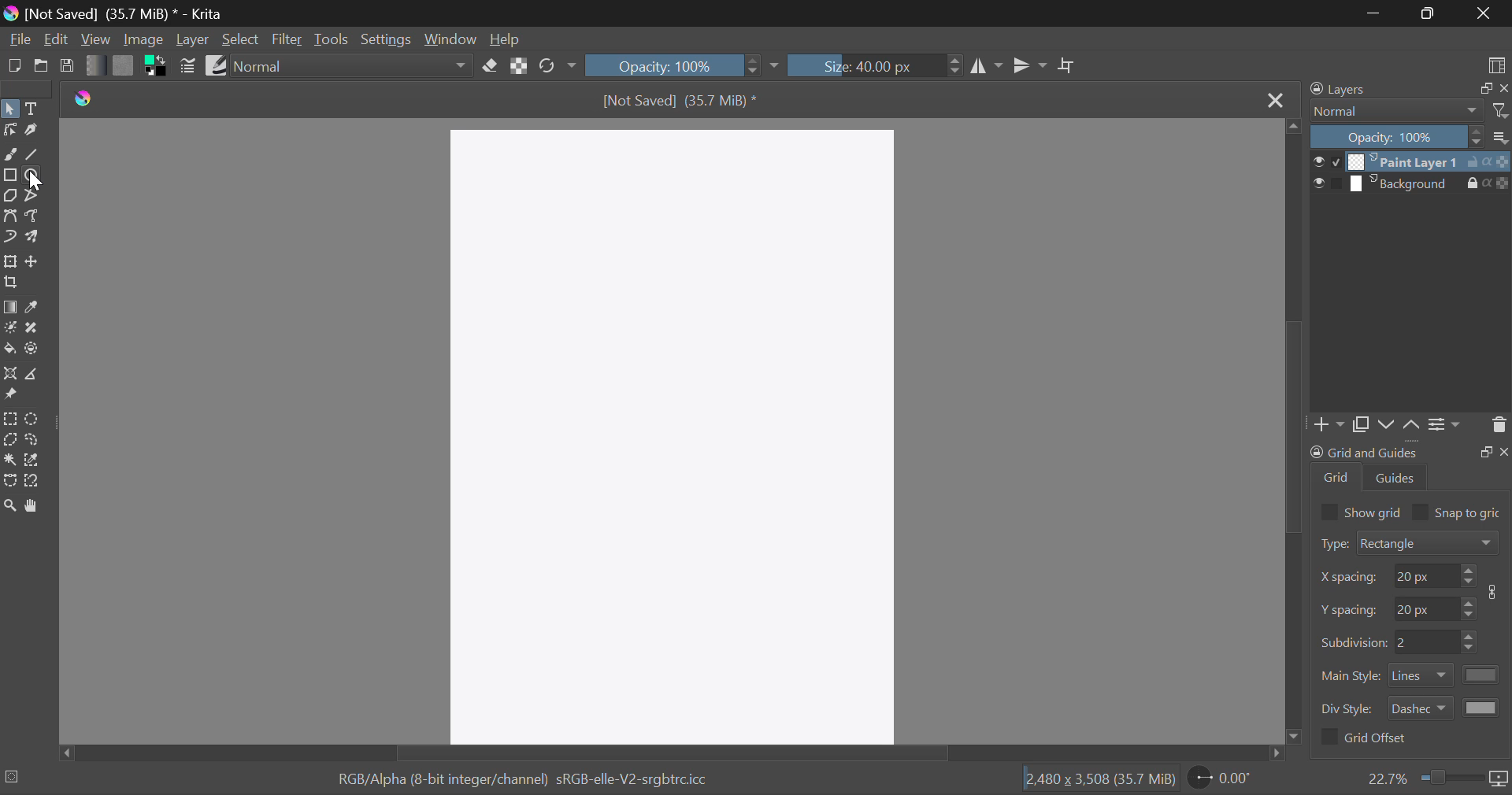  Describe the element at coordinates (19, 42) in the screenshot. I see `File` at that location.